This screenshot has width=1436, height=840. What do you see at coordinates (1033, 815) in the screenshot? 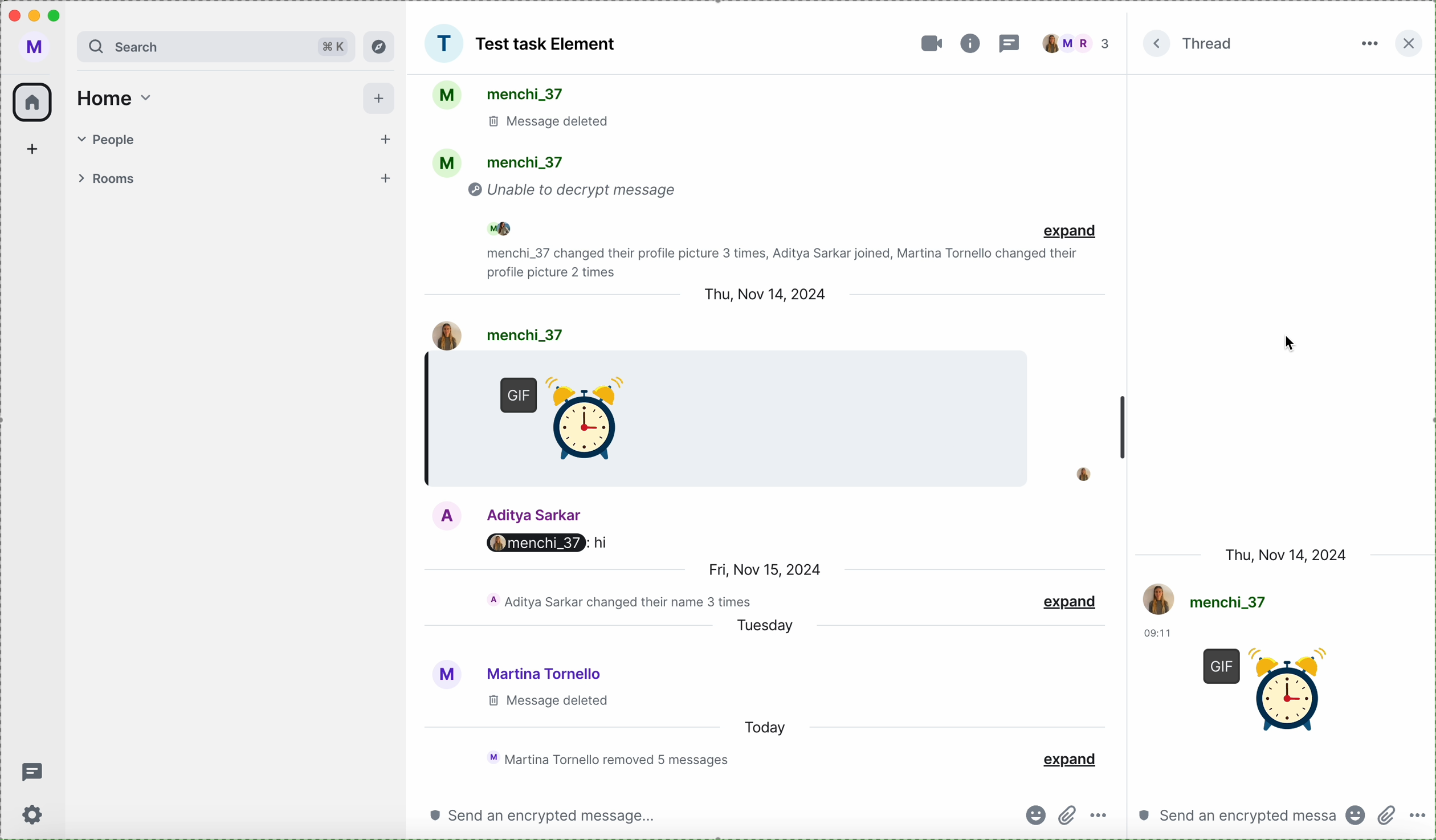
I see `emojis` at bounding box center [1033, 815].